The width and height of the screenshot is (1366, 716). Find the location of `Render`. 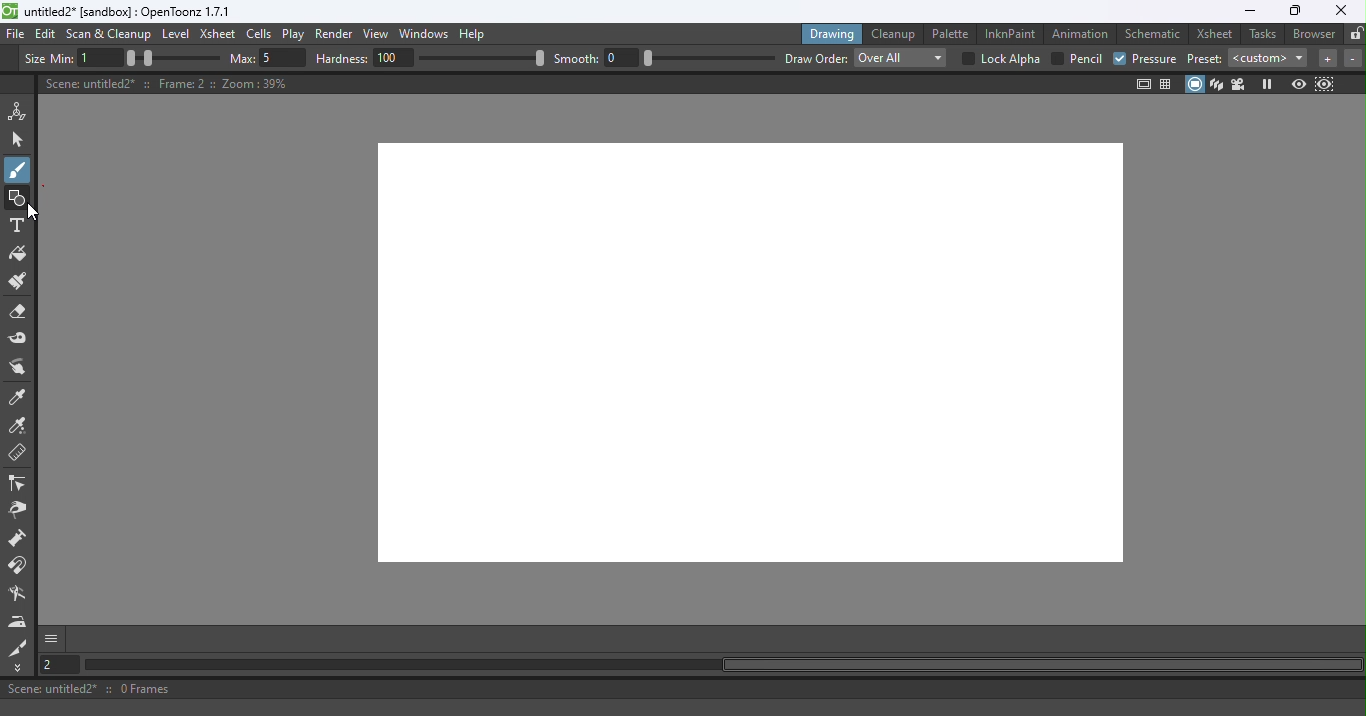

Render is located at coordinates (337, 35).